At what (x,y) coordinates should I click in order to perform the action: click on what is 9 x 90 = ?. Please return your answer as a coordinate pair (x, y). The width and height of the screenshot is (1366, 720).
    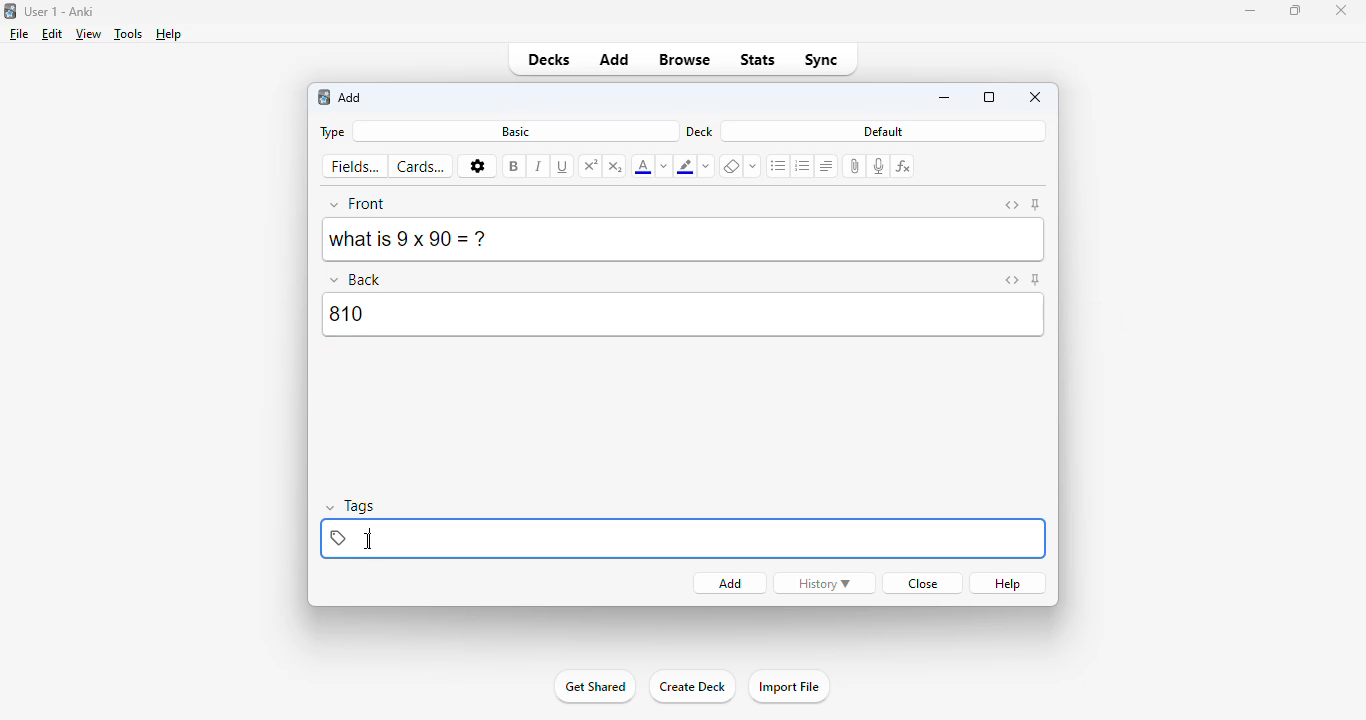
    Looking at the image, I should click on (412, 239).